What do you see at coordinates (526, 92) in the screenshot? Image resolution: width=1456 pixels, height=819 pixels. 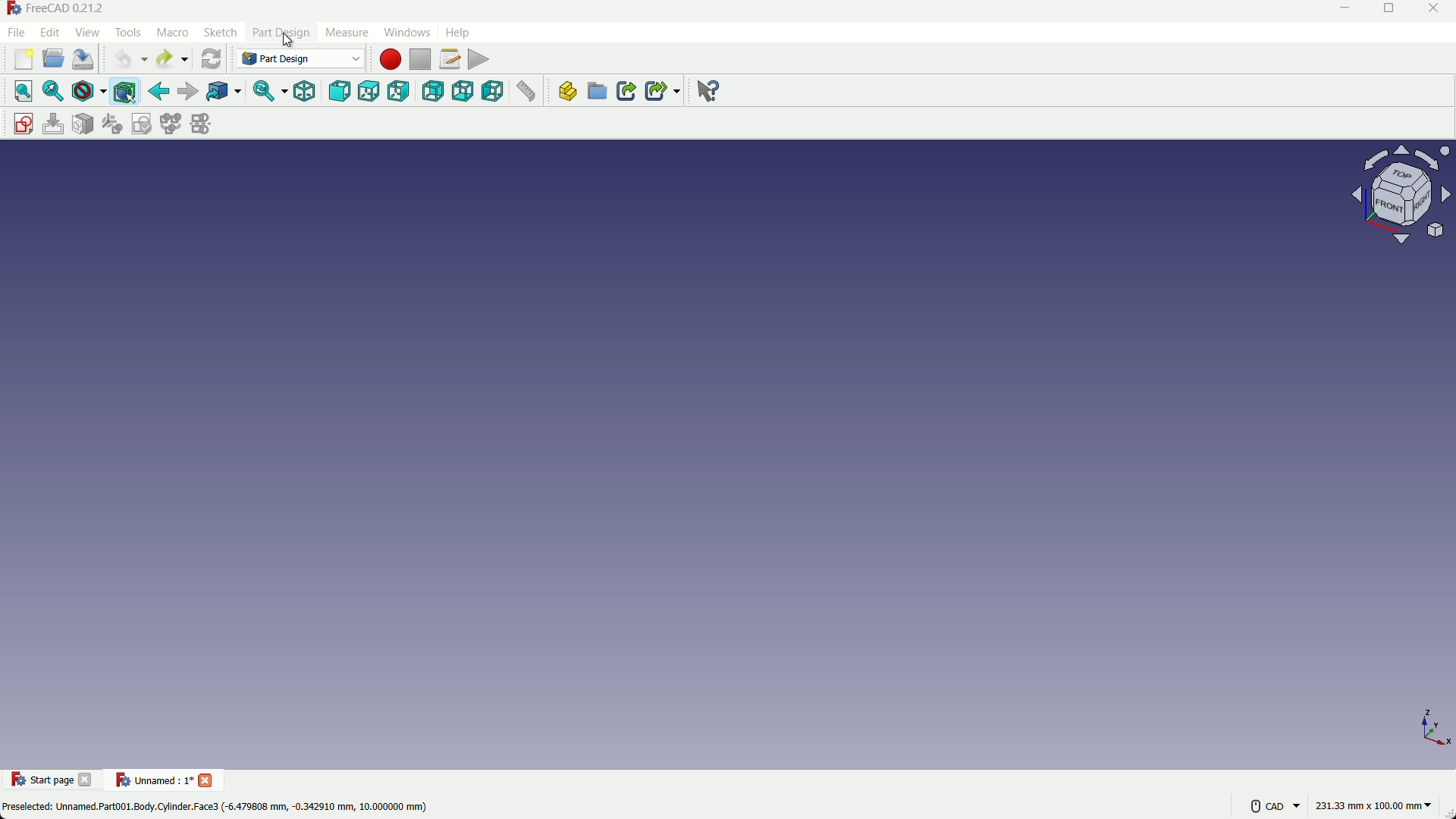 I see `measure` at bounding box center [526, 92].